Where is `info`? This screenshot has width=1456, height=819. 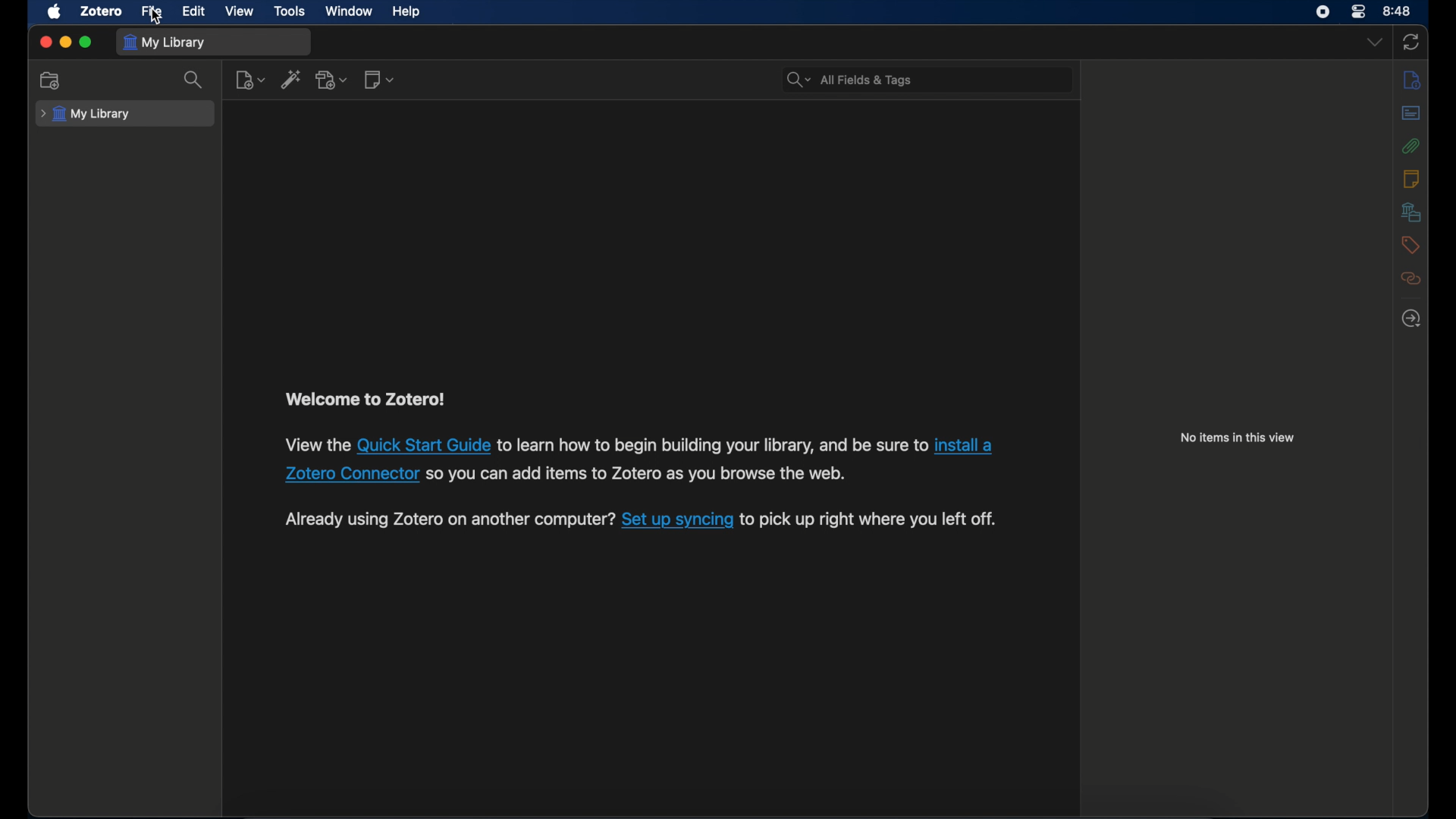 info is located at coordinates (1414, 81).